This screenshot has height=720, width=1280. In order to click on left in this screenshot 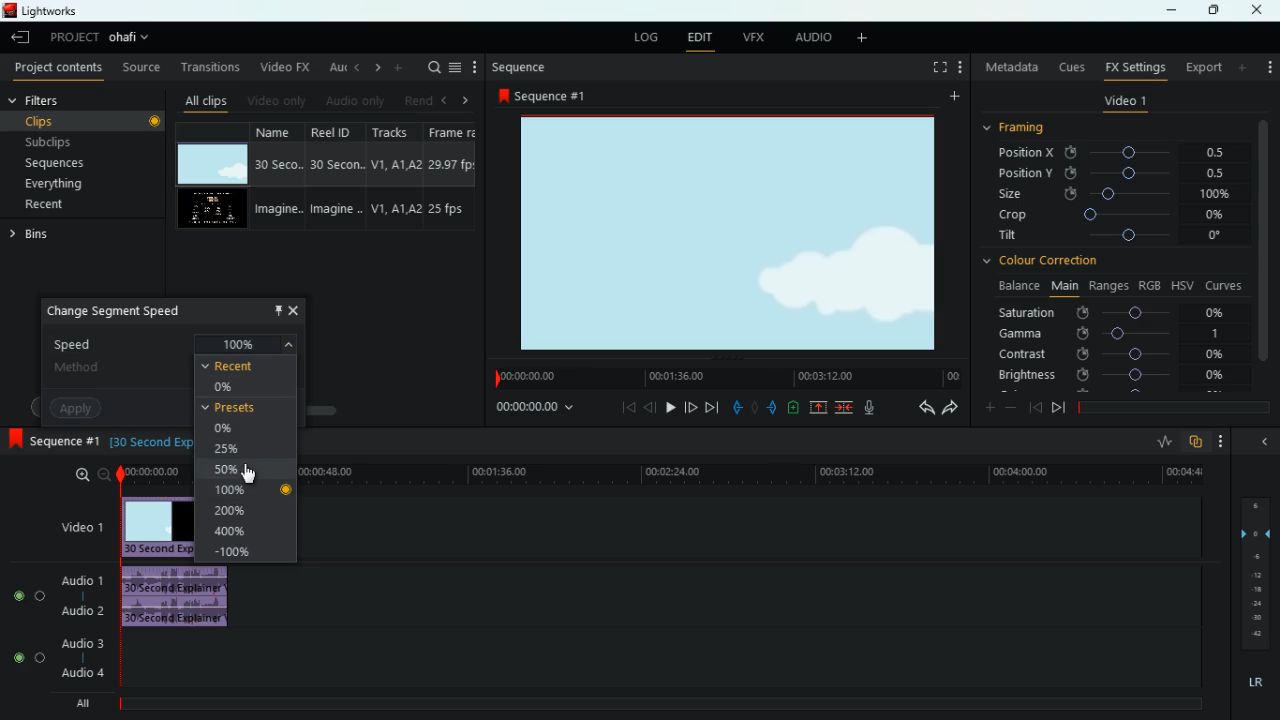, I will do `click(442, 98)`.